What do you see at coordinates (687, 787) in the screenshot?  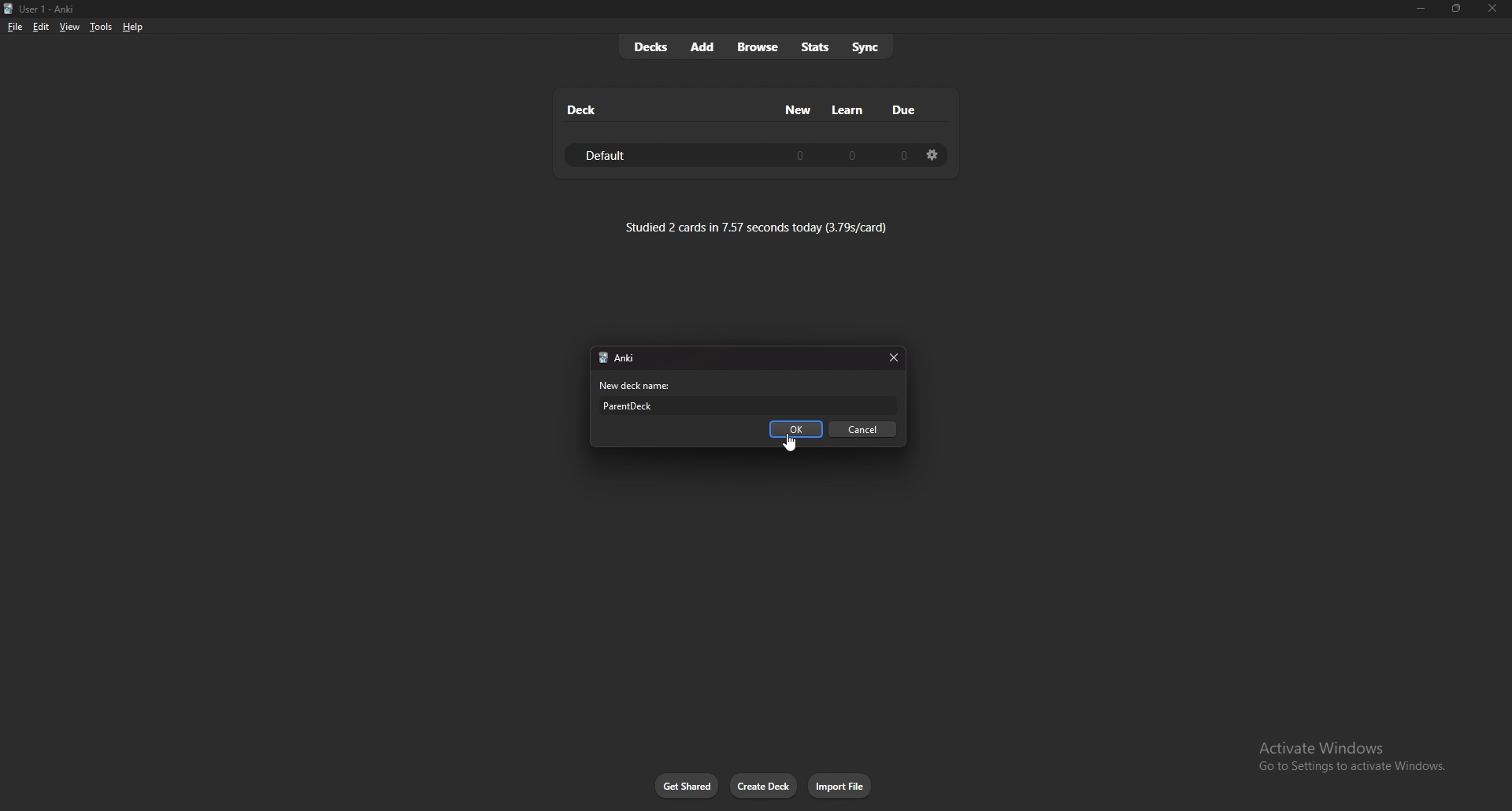 I see `get shared` at bounding box center [687, 787].